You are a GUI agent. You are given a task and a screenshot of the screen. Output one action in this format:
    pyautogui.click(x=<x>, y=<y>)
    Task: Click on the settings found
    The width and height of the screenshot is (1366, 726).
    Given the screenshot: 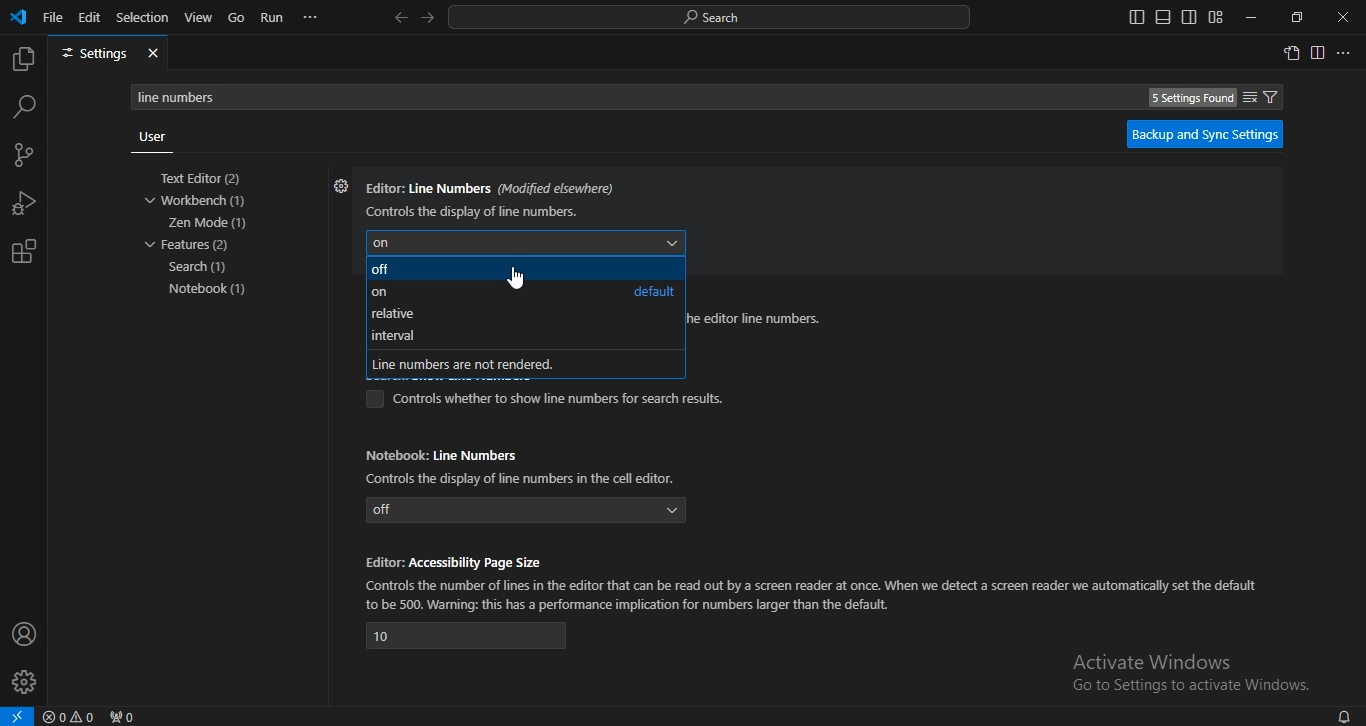 What is the action you would take?
    pyautogui.click(x=1192, y=98)
    